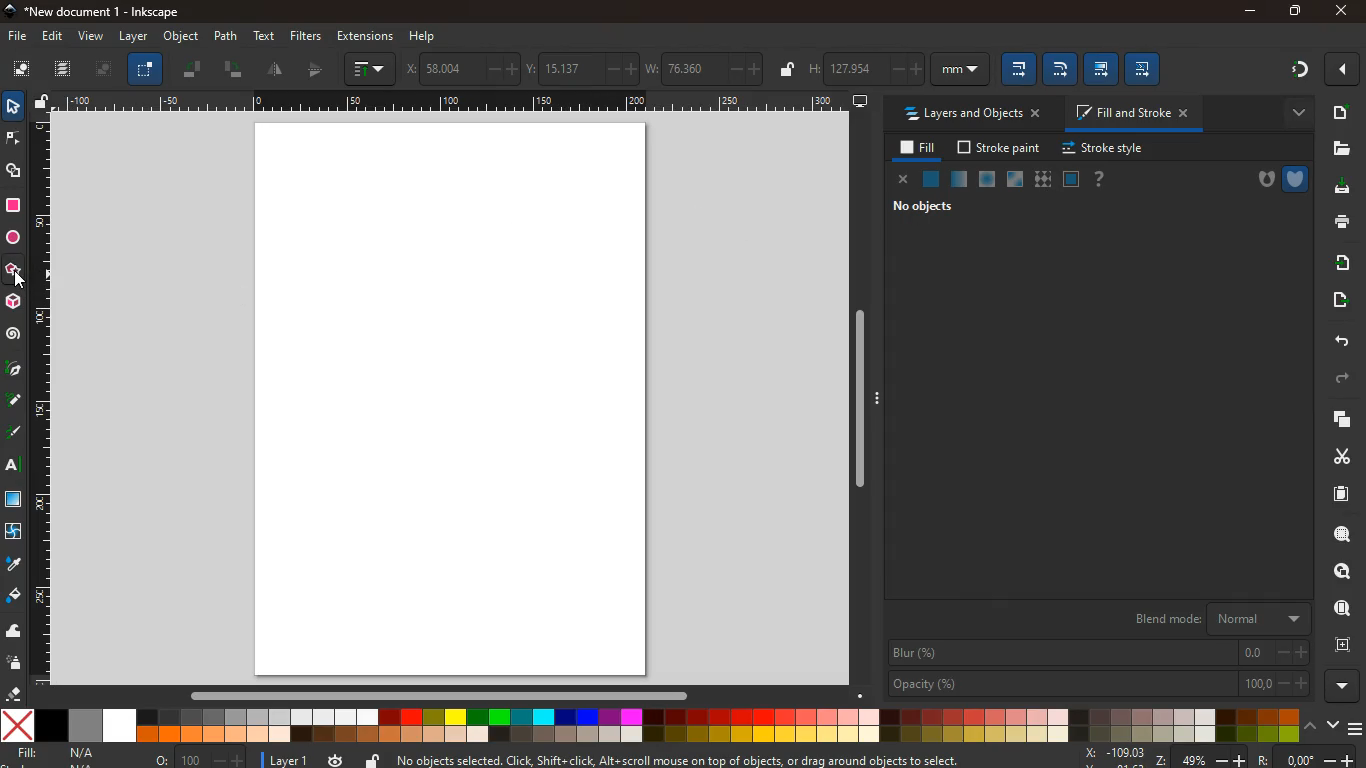 This screenshot has height=768, width=1366. Describe the element at coordinates (1061, 70) in the screenshot. I see `edit` at that location.